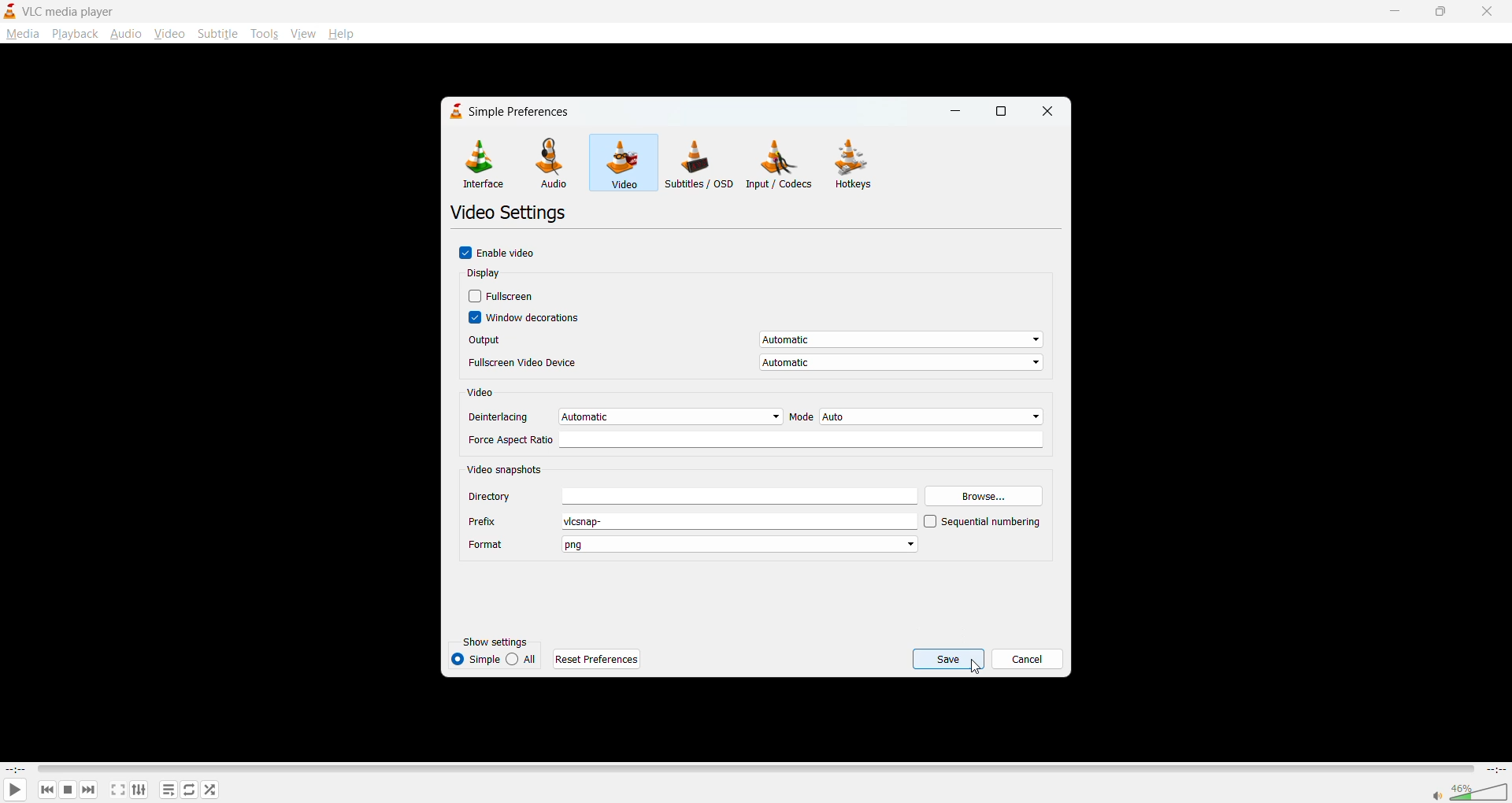  What do you see at coordinates (487, 274) in the screenshot?
I see `display` at bounding box center [487, 274].